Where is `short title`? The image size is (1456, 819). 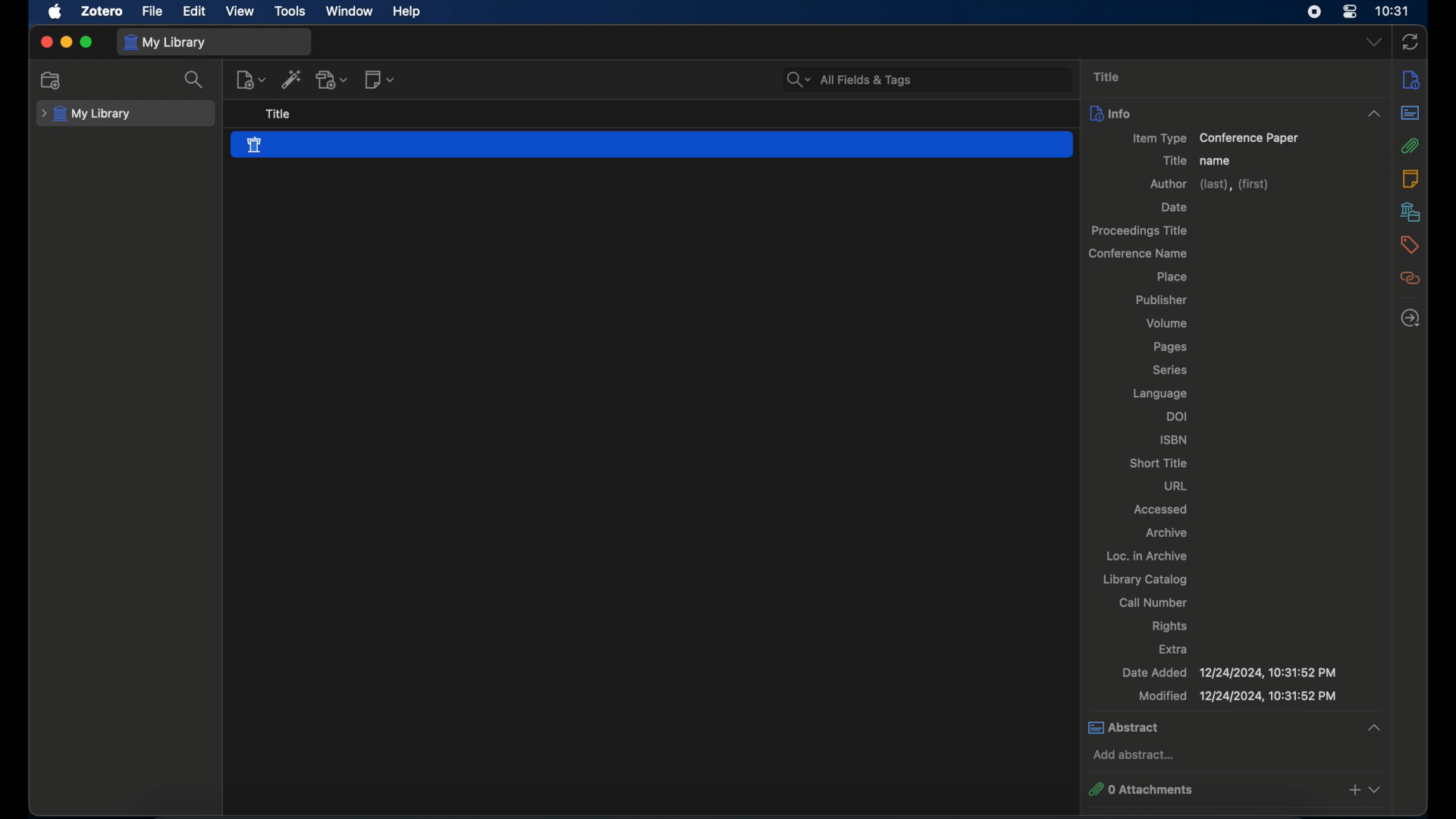 short title is located at coordinates (1156, 463).